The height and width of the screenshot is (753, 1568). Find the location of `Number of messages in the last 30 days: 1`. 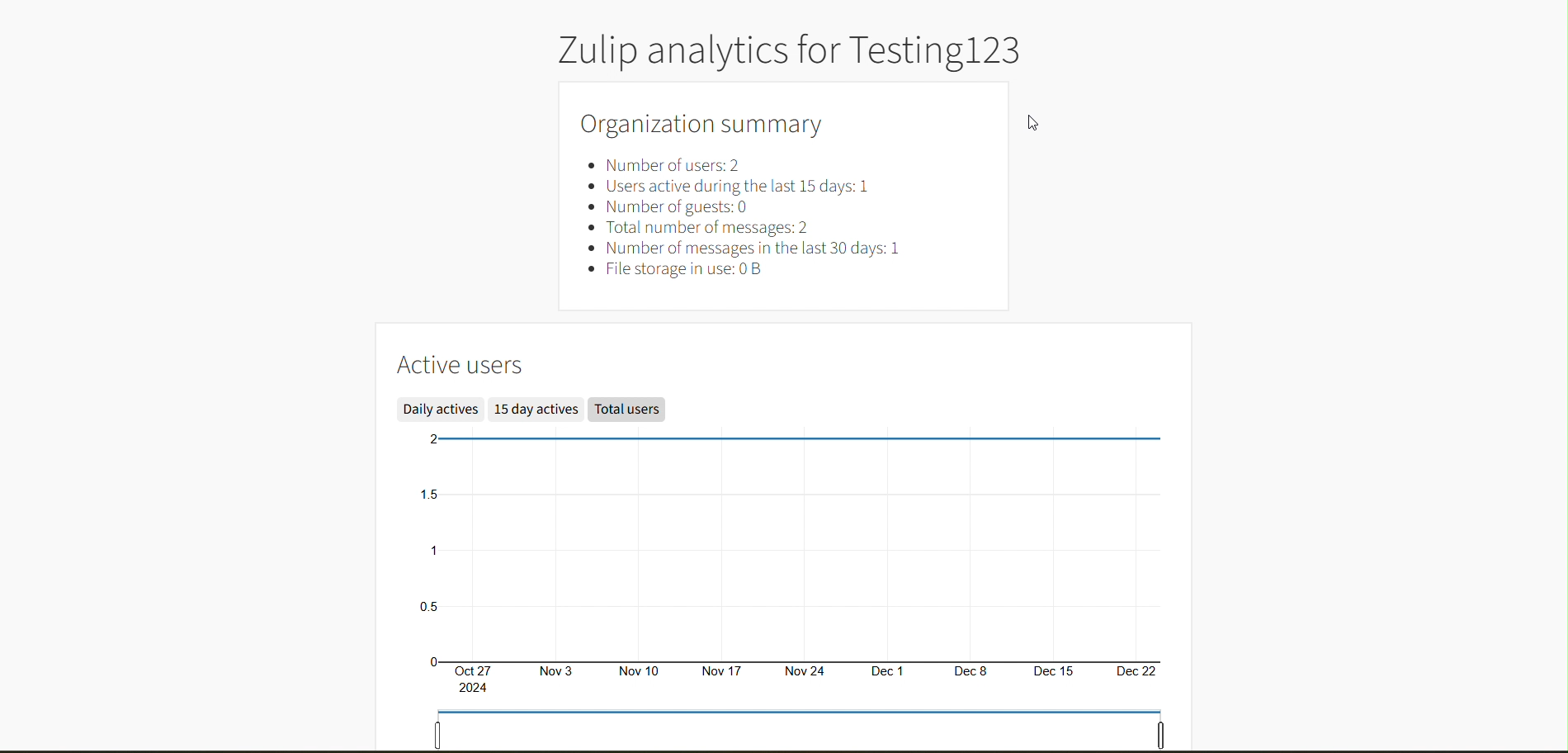

Number of messages in the last 30 days: 1 is located at coordinates (739, 249).